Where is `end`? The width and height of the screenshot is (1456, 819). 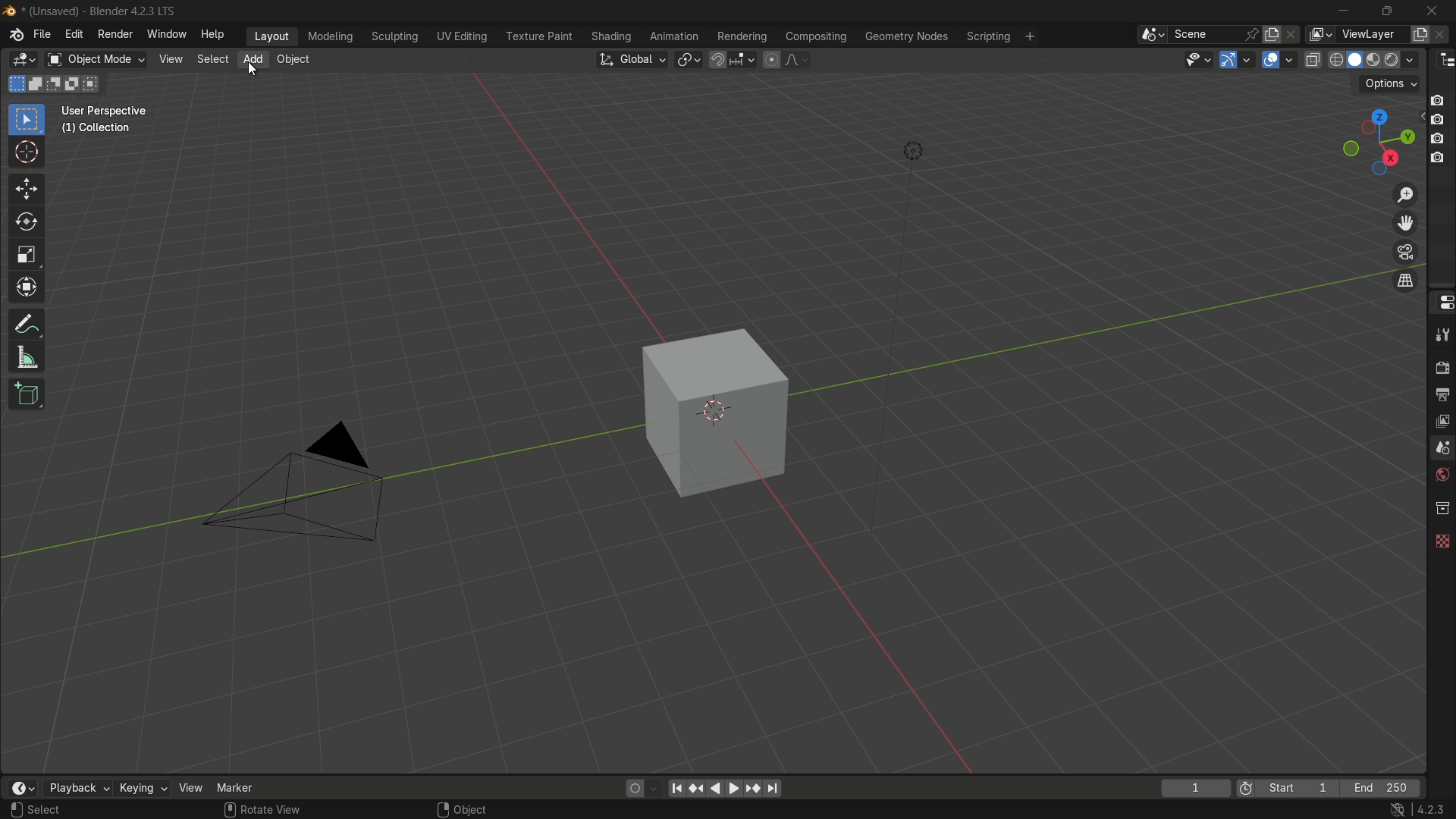 end is located at coordinates (1386, 787).